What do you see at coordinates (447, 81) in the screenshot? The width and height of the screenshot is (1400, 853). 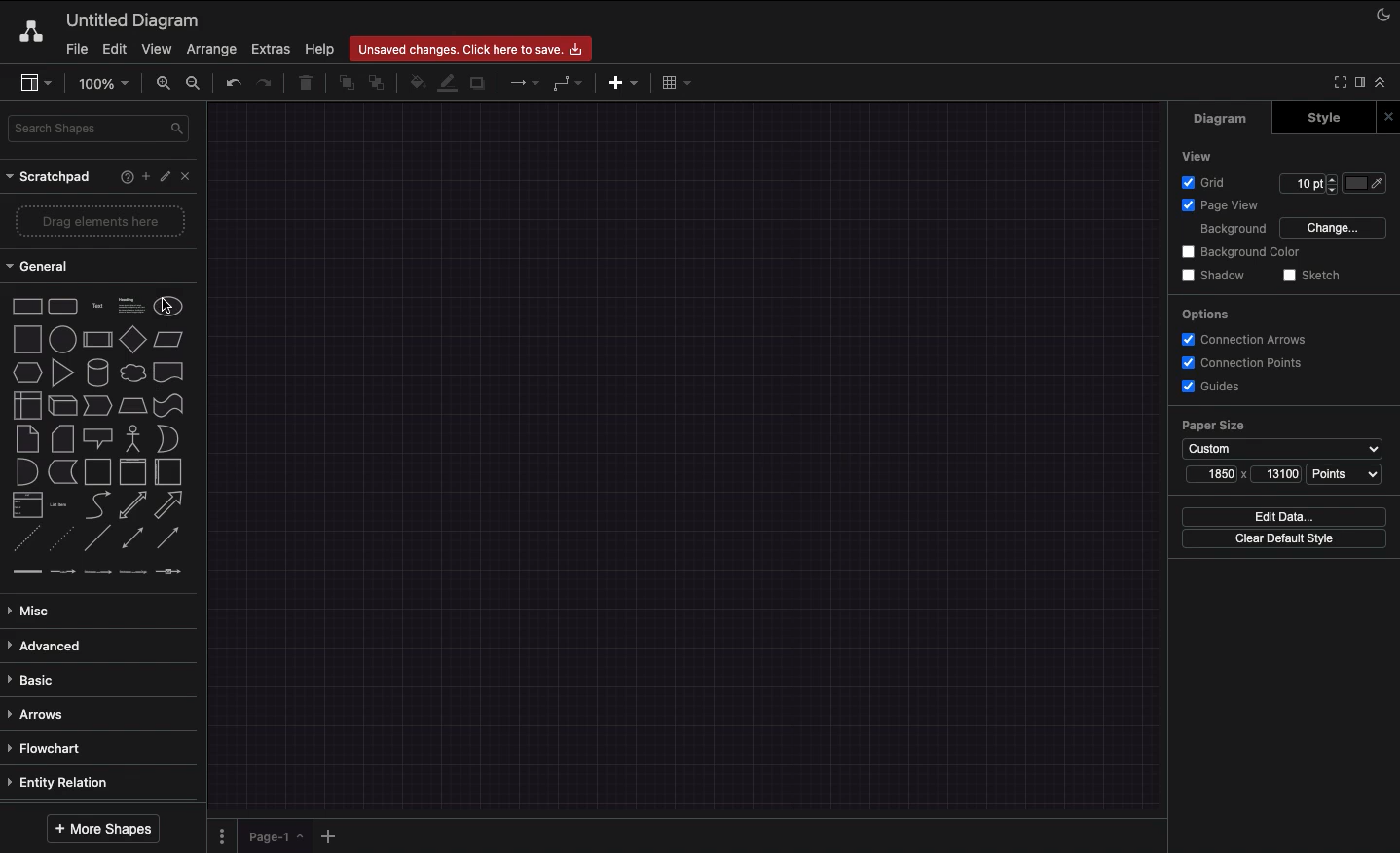 I see `Line color` at bounding box center [447, 81].